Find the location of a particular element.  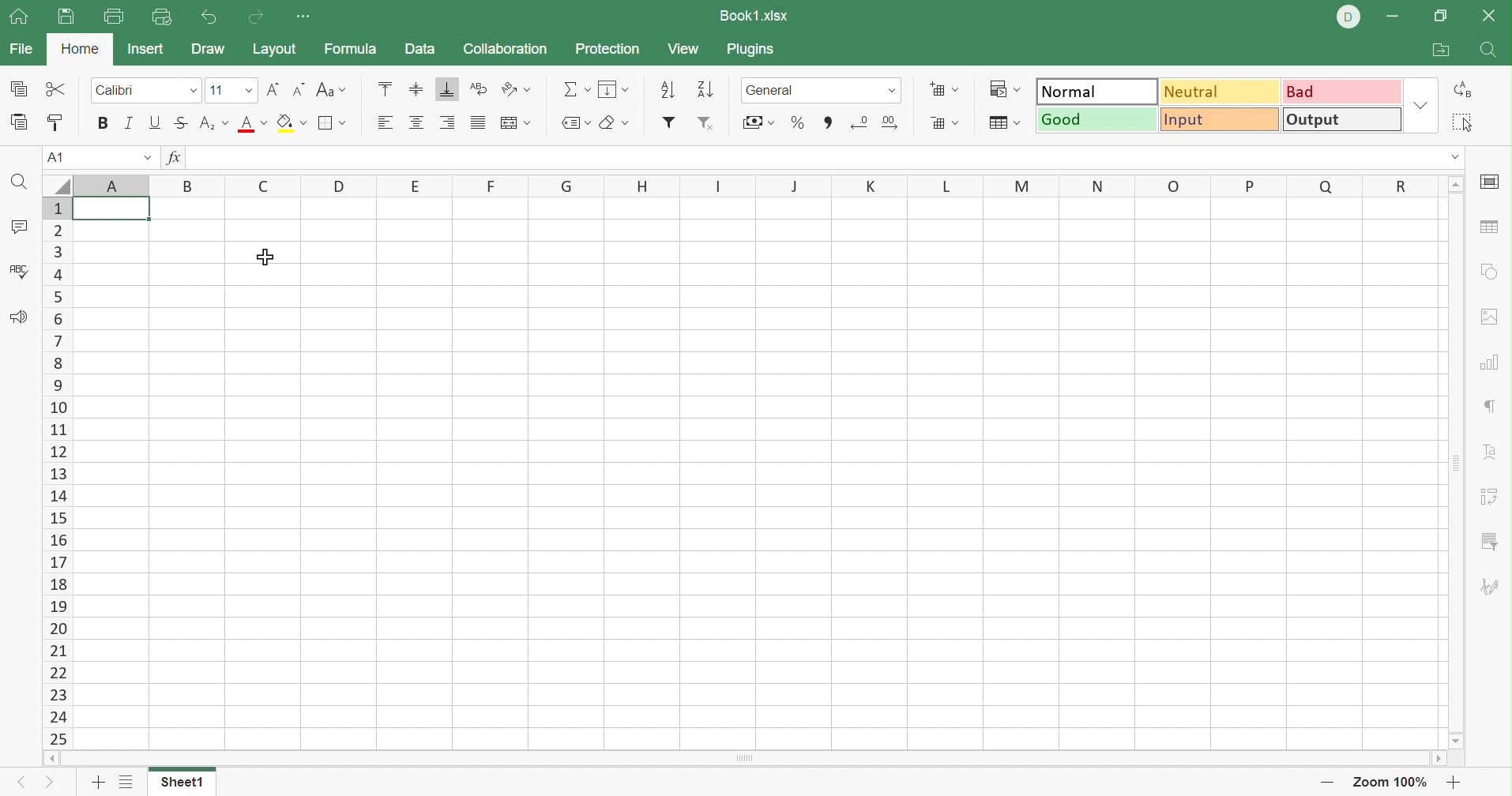

Clear is located at coordinates (614, 125).